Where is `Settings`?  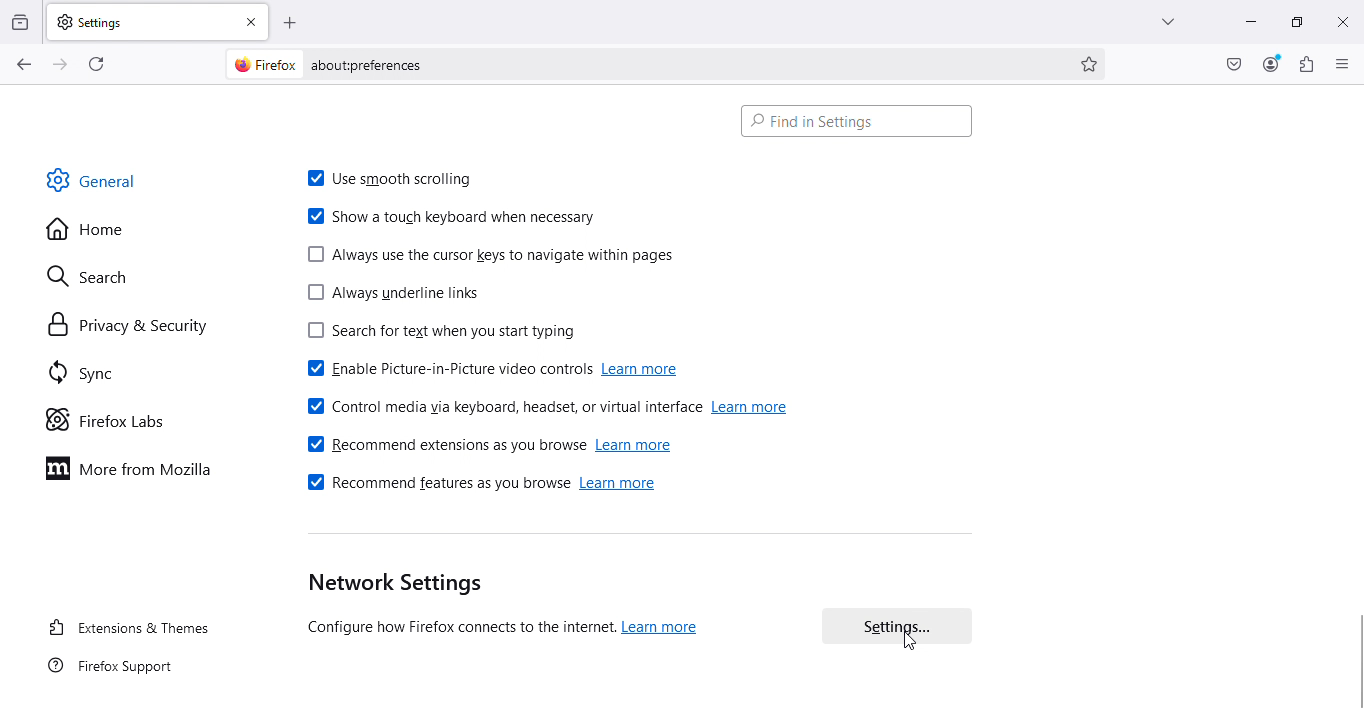 Settings is located at coordinates (897, 630).